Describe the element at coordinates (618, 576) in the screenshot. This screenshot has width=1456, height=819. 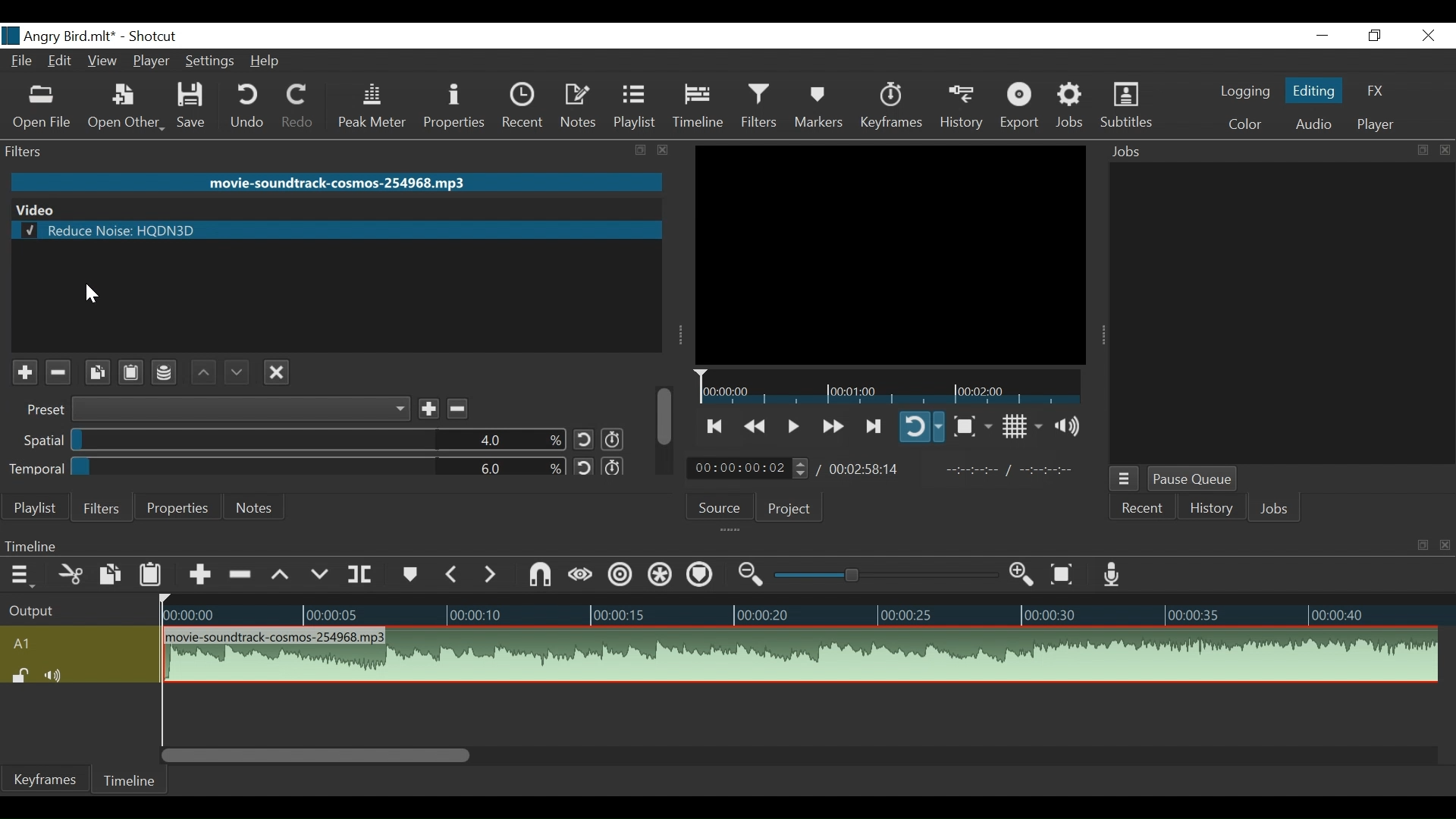
I see `Ripple ` at that location.